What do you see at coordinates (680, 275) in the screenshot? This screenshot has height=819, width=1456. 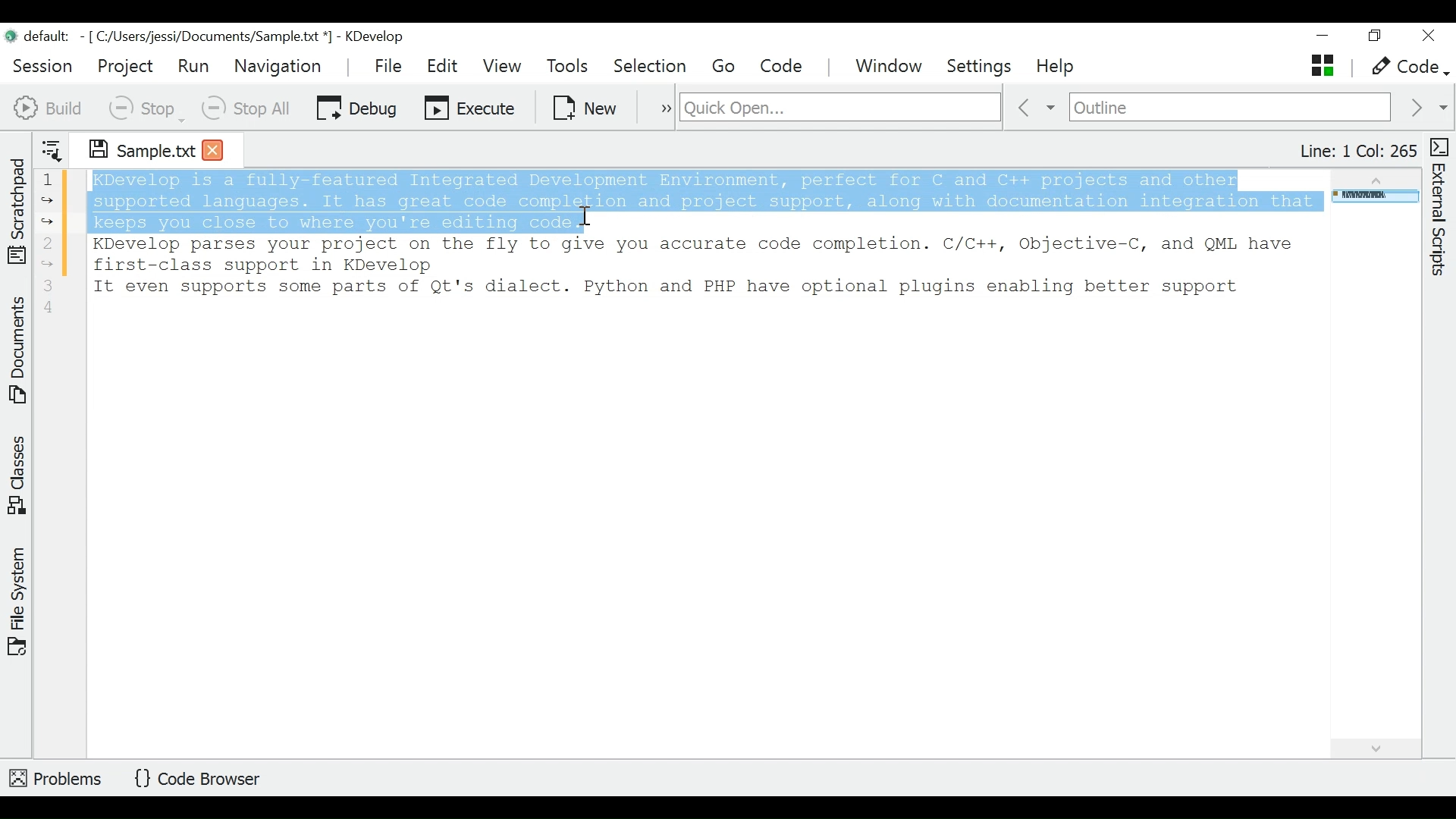 I see `2 KDevelop parses your project on the fly to give you accurate code completion. C/C++, Objective-C, and QML have first-class support in KDevelop. 3 It even supports some parts of Qt's dialect. Python and PHP have optional plugins enabling better support` at bounding box center [680, 275].